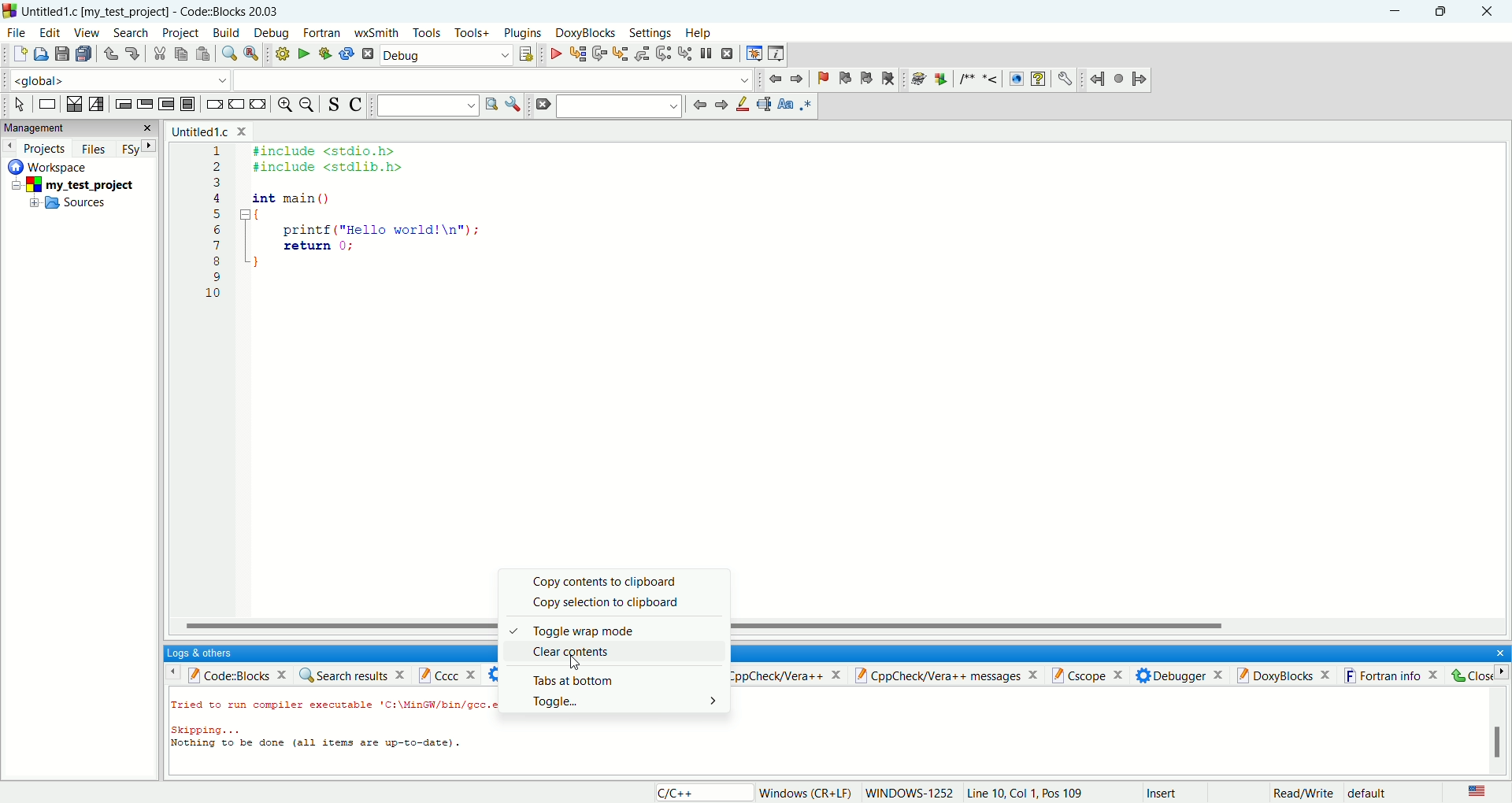 The height and width of the screenshot is (803, 1512). I want to click on Cscope, so click(1093, 675).